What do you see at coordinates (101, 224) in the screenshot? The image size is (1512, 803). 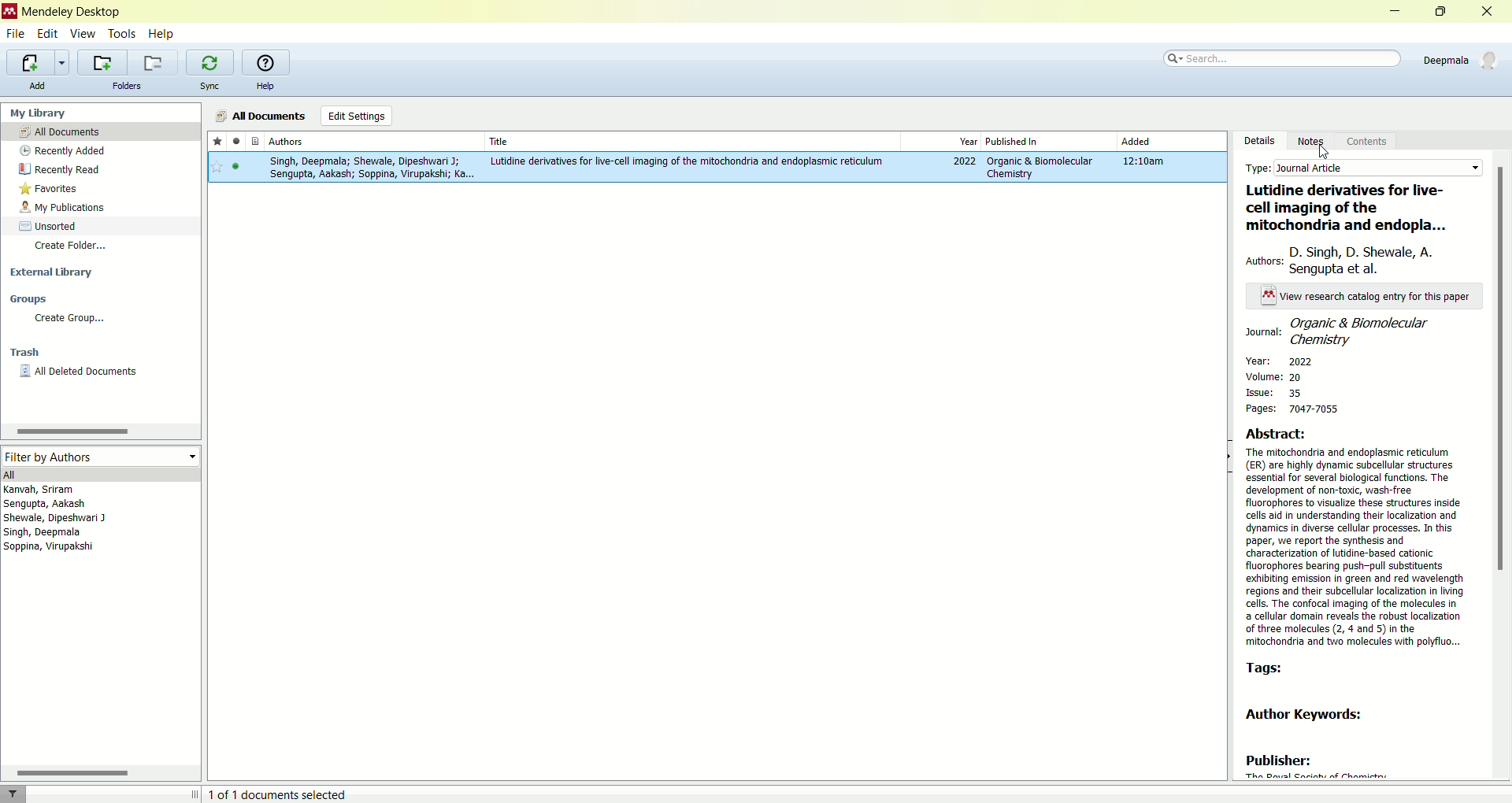 I see `unsorted` at bounding box center [101, 224].